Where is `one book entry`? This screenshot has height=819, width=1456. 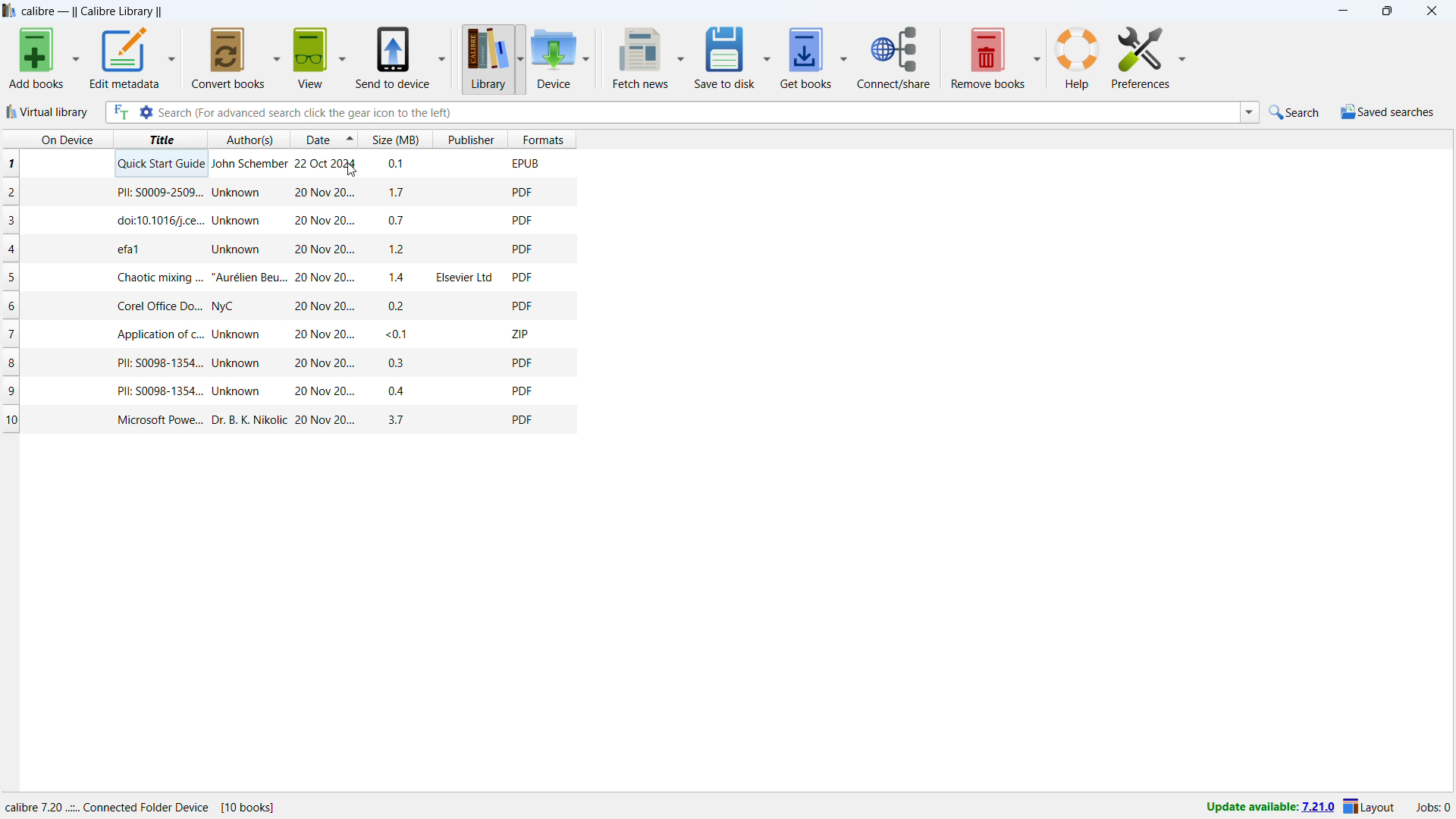
one book entry is located at coordinates (285, 277).